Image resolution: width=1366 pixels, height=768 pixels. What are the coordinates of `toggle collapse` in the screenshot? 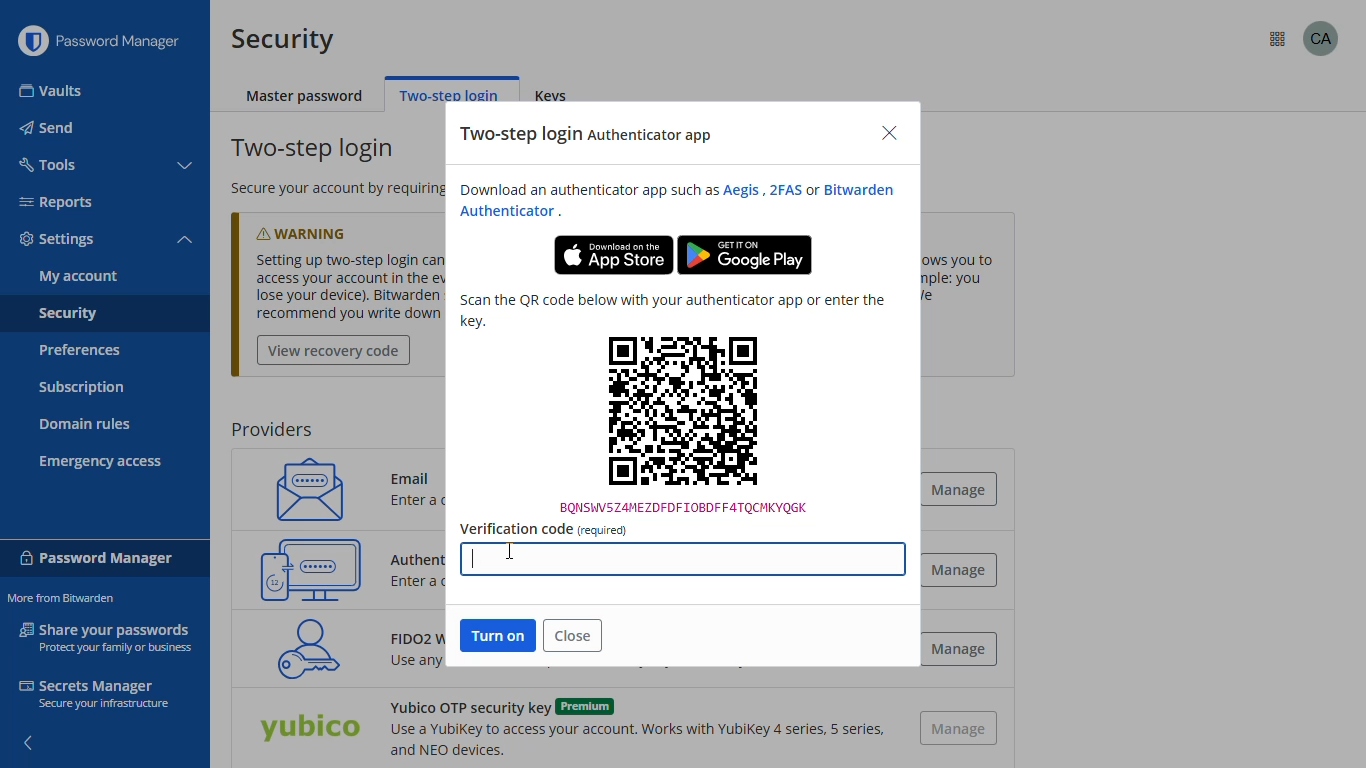 It's located at (185, 241).